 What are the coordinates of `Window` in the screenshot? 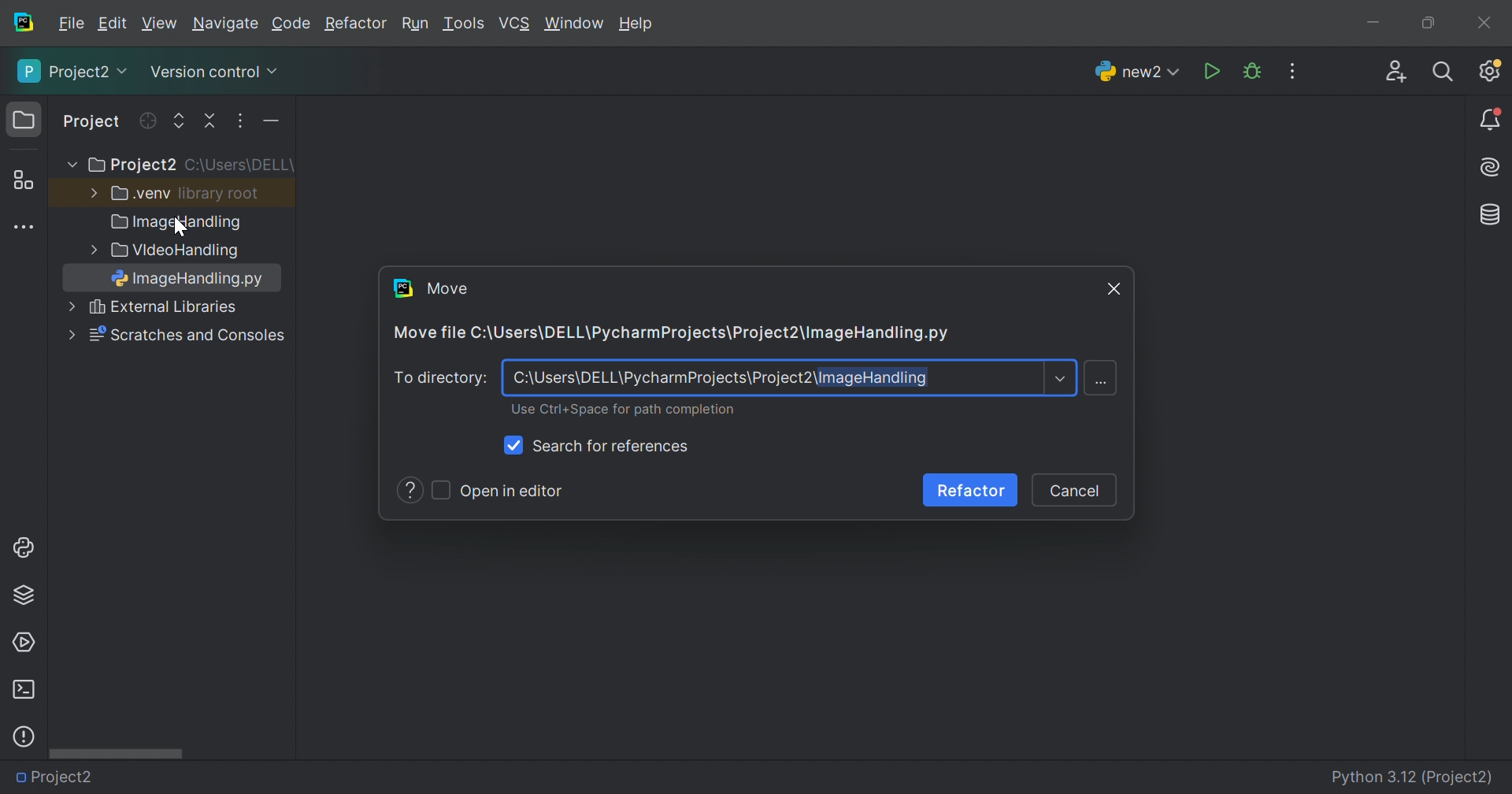 It's located at (575, 25).